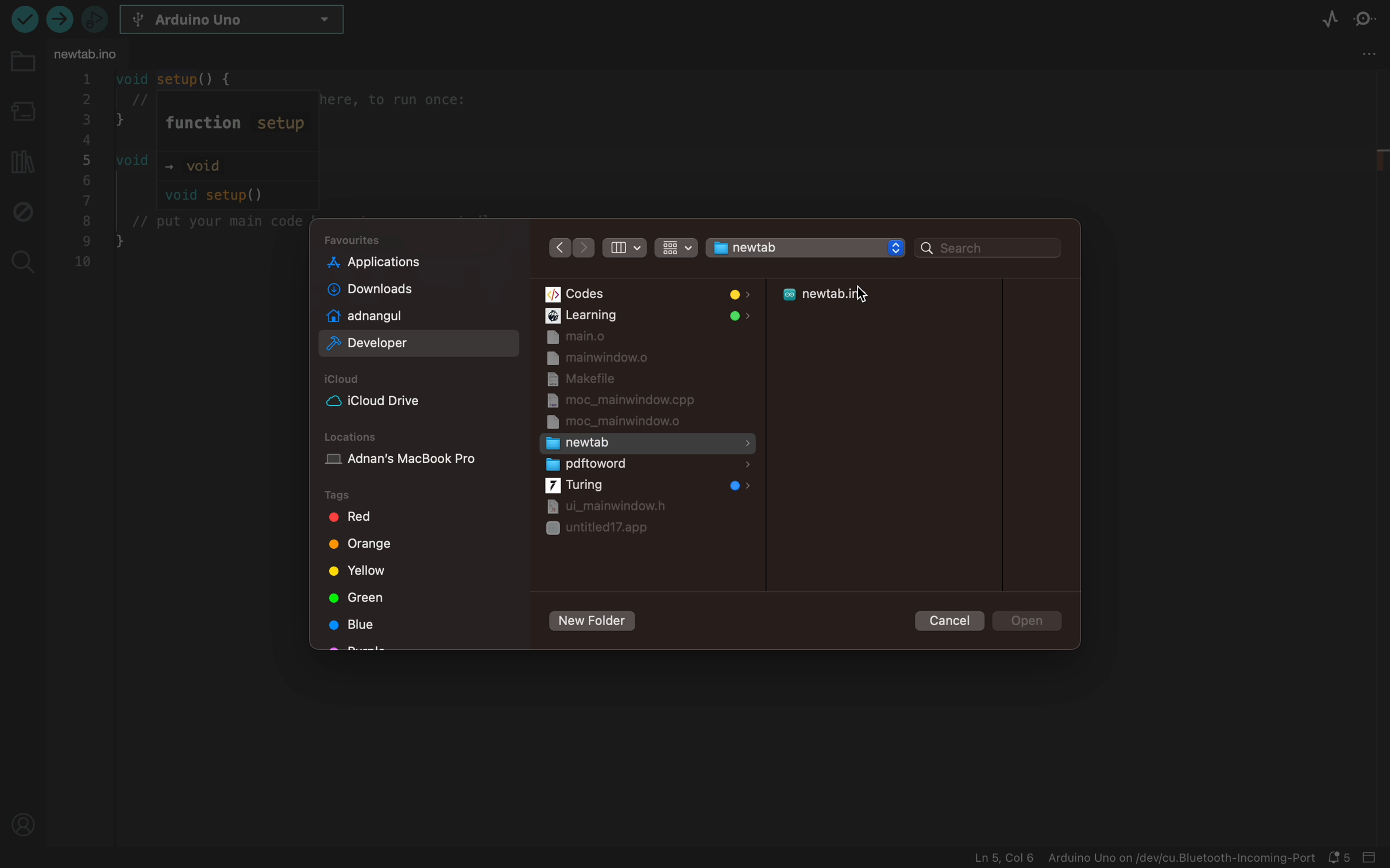  What do you see at coordinates (360, 625) in the screenshot?
I see `tags` at bounding box center [360, 625].